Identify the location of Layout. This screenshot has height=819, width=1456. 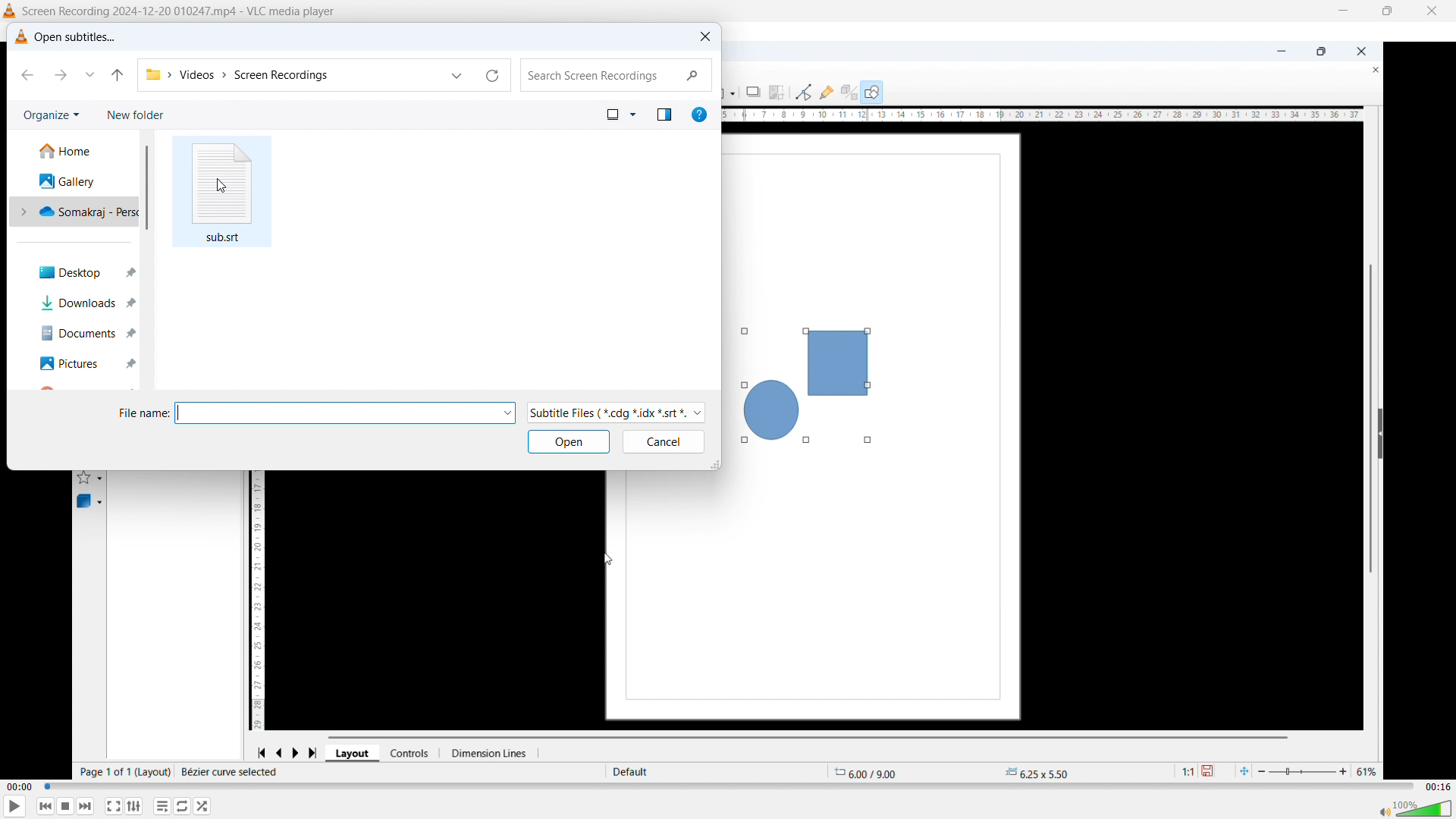
(354, 753).